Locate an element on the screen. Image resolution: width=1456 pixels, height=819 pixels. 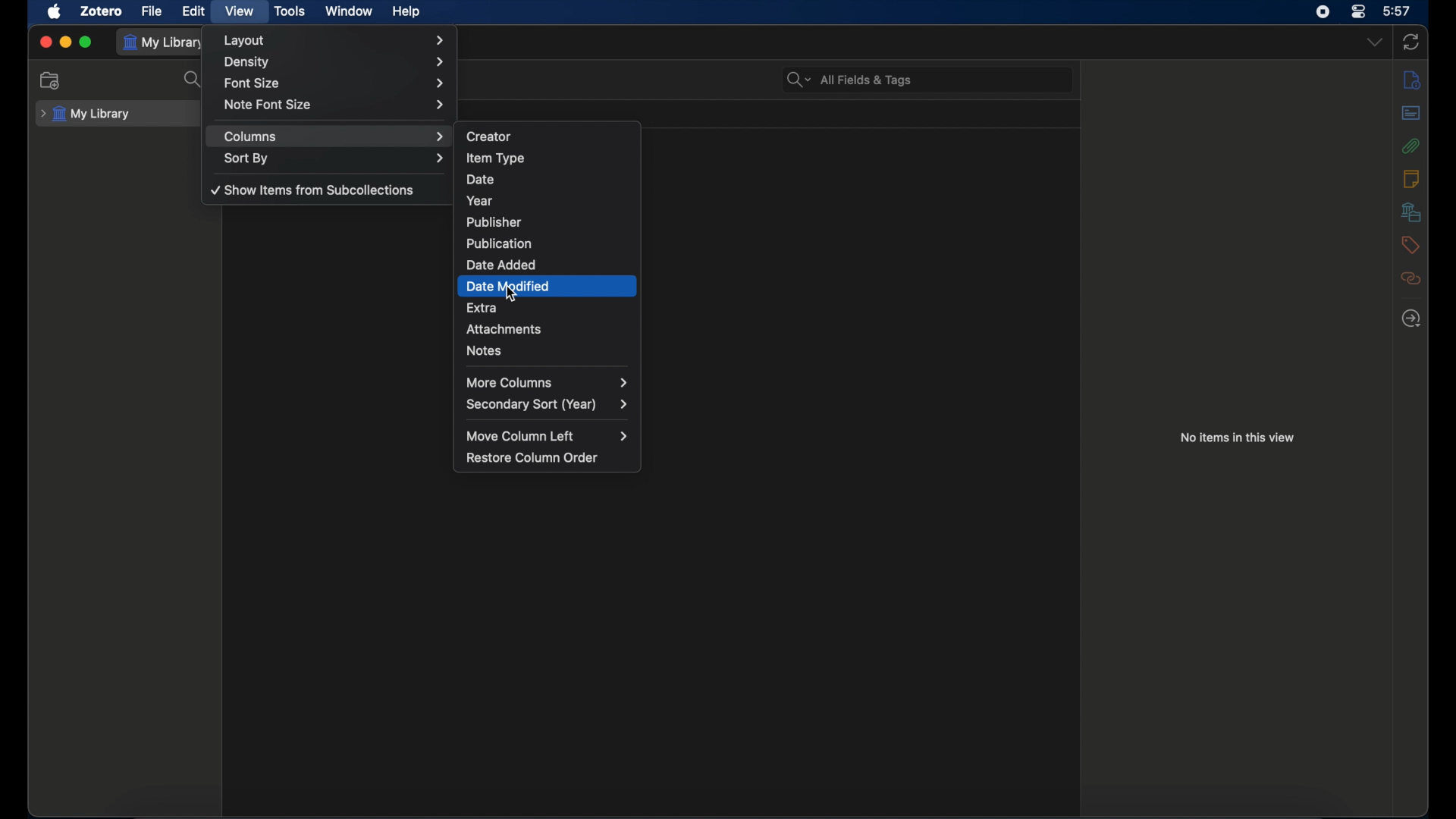
file is located at coordinates (151, 11).